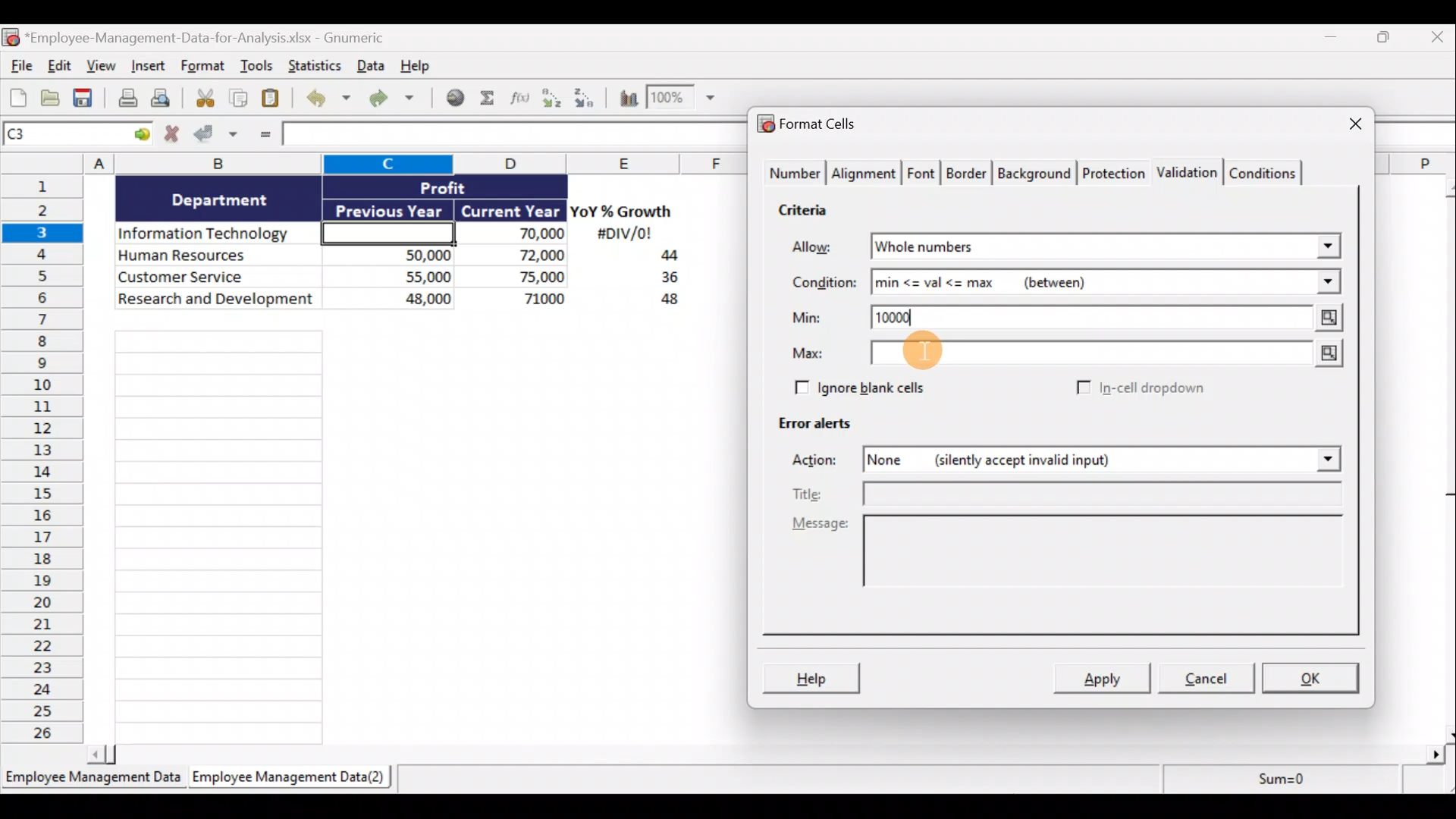 Image resolution: width=1456 pixels, height=819 pixels. I want to click on 10000, so click(902, 316).